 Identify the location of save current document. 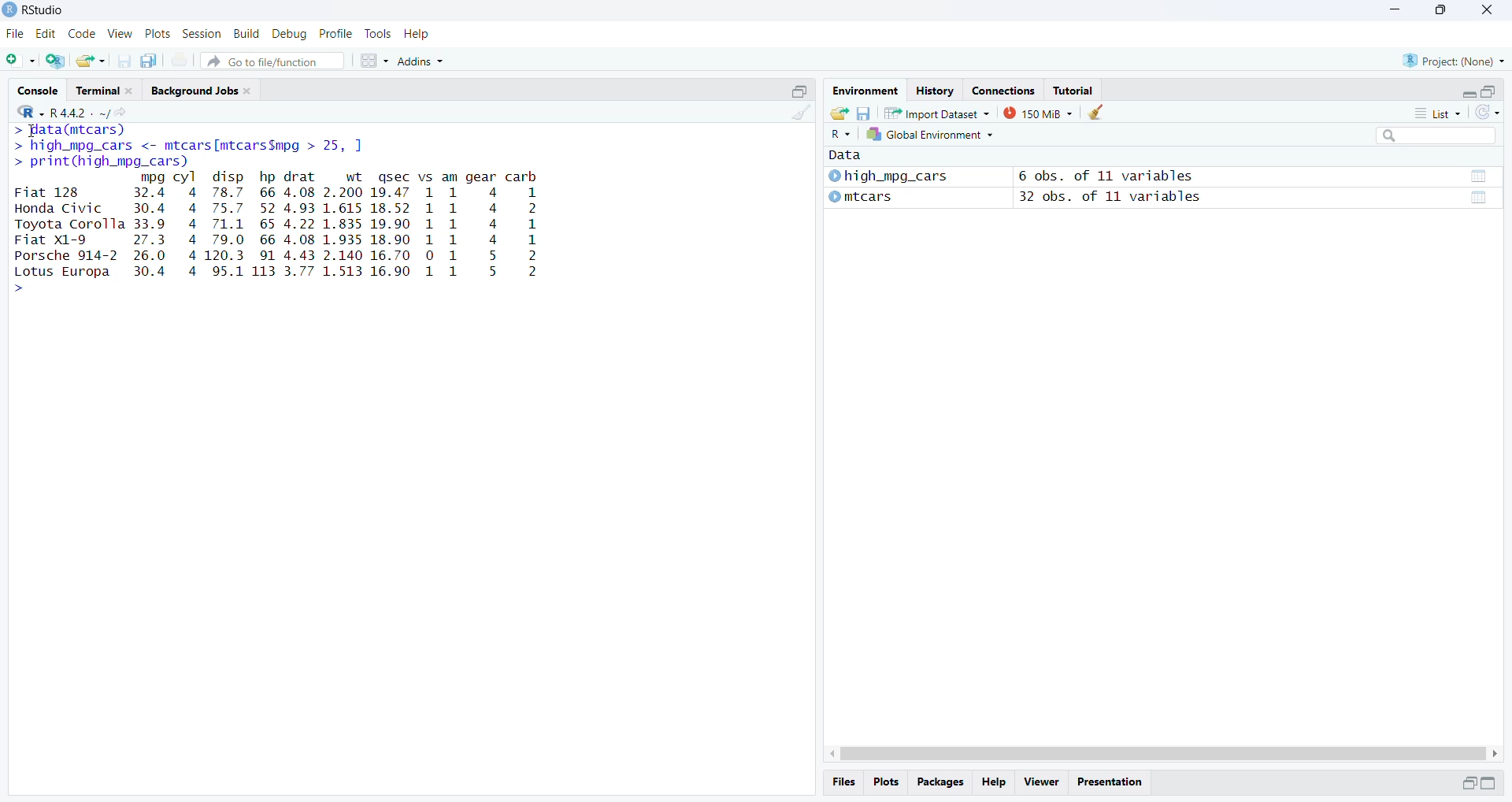
(124, 60).